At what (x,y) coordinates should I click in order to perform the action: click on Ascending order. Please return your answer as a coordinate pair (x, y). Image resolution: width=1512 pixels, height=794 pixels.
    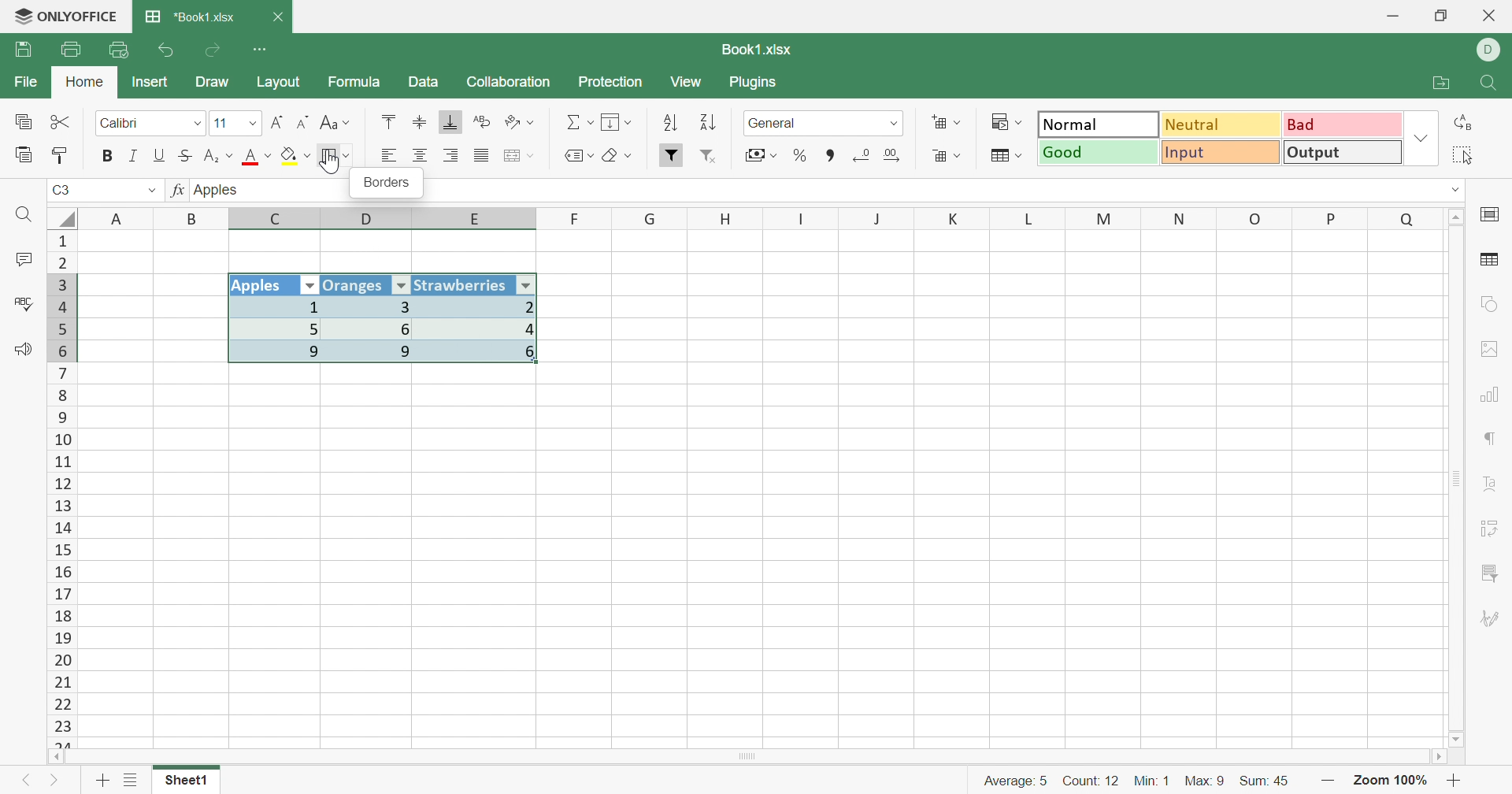
    Looking at the image, I should click on (669, 124).